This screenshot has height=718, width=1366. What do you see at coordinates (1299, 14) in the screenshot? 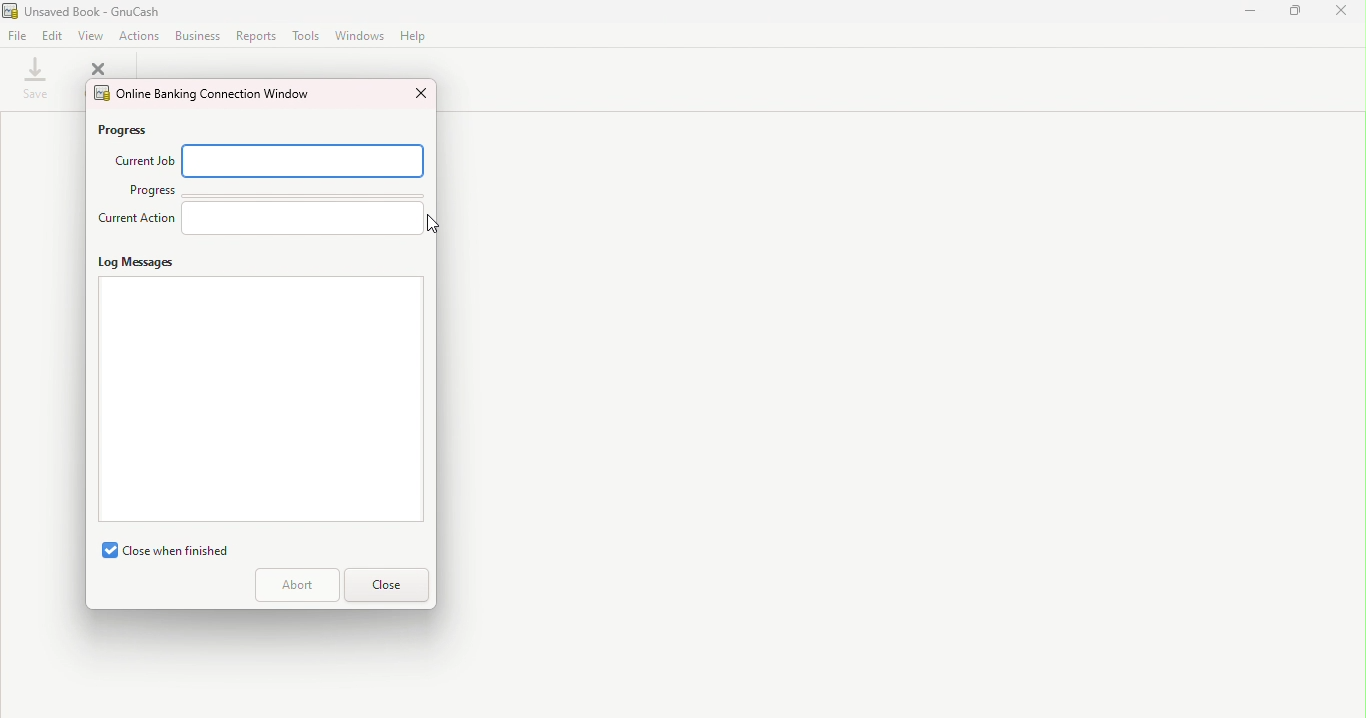
I see `Maximize` at bounding box center [1299, 14].